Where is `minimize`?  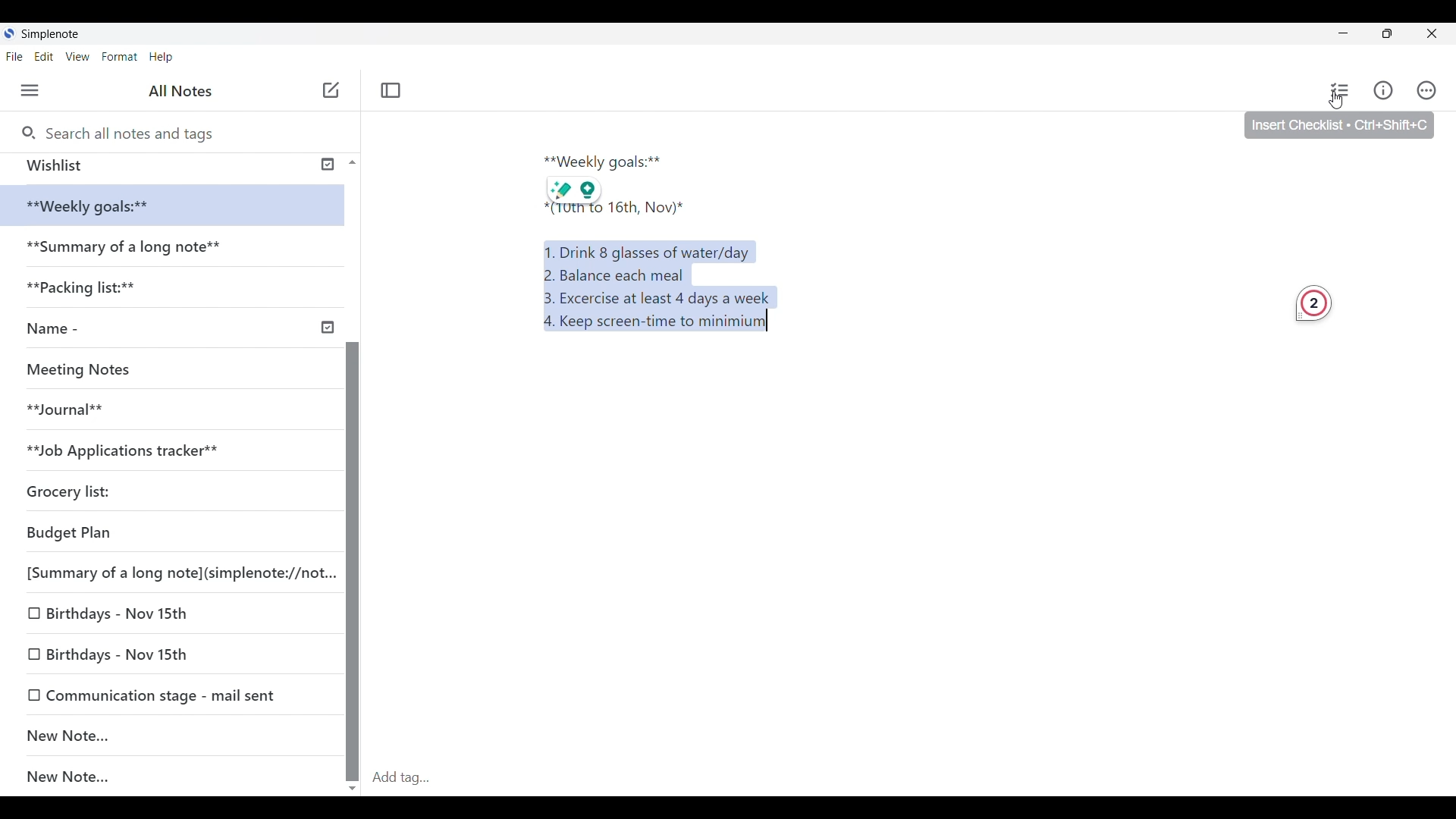 minimize is located at coordinates (1354, 36).